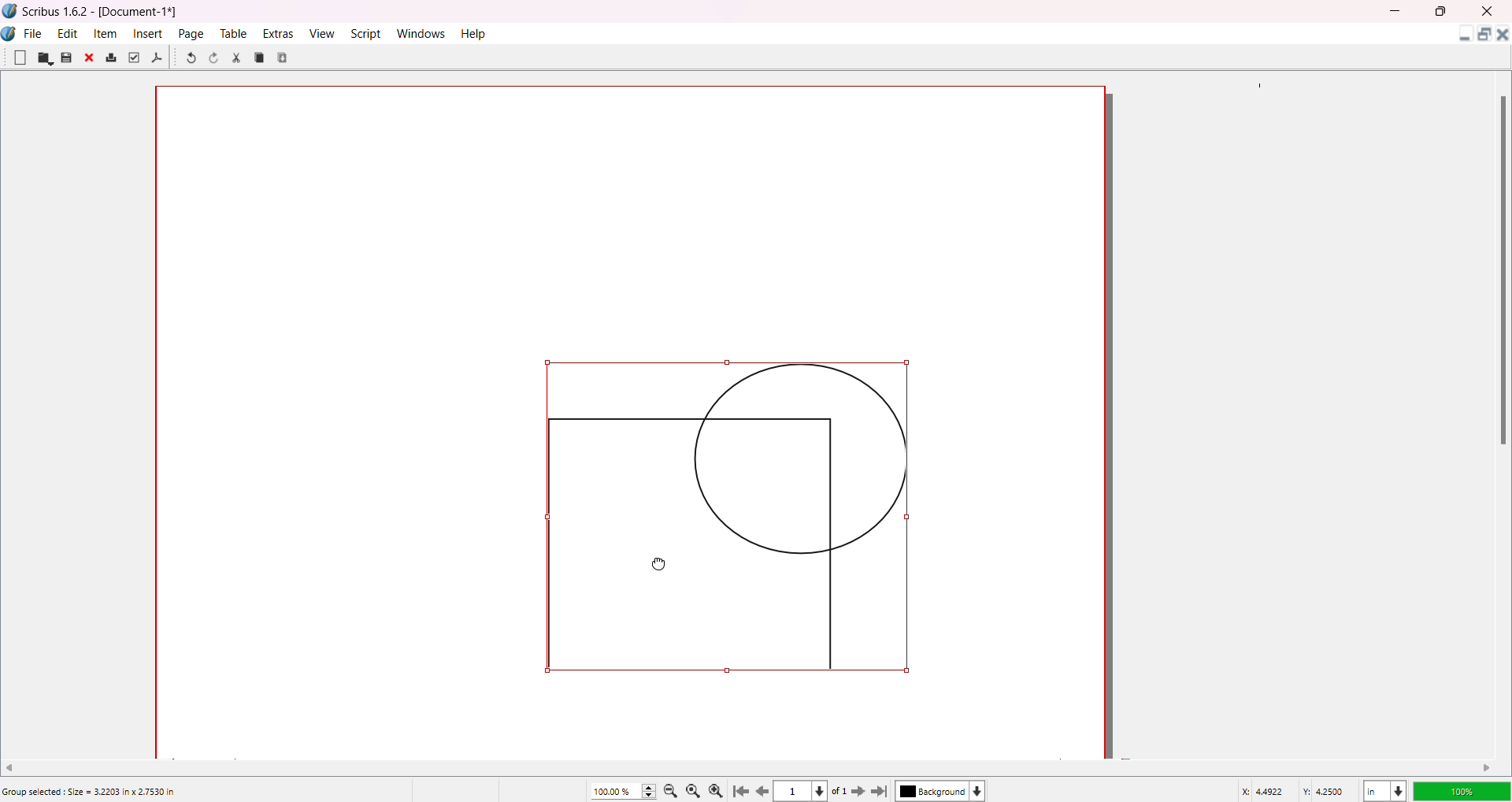  What do you see at coordinates (192, 33) in the screenshot?
I see `Page` at bounding box center [192, 33].